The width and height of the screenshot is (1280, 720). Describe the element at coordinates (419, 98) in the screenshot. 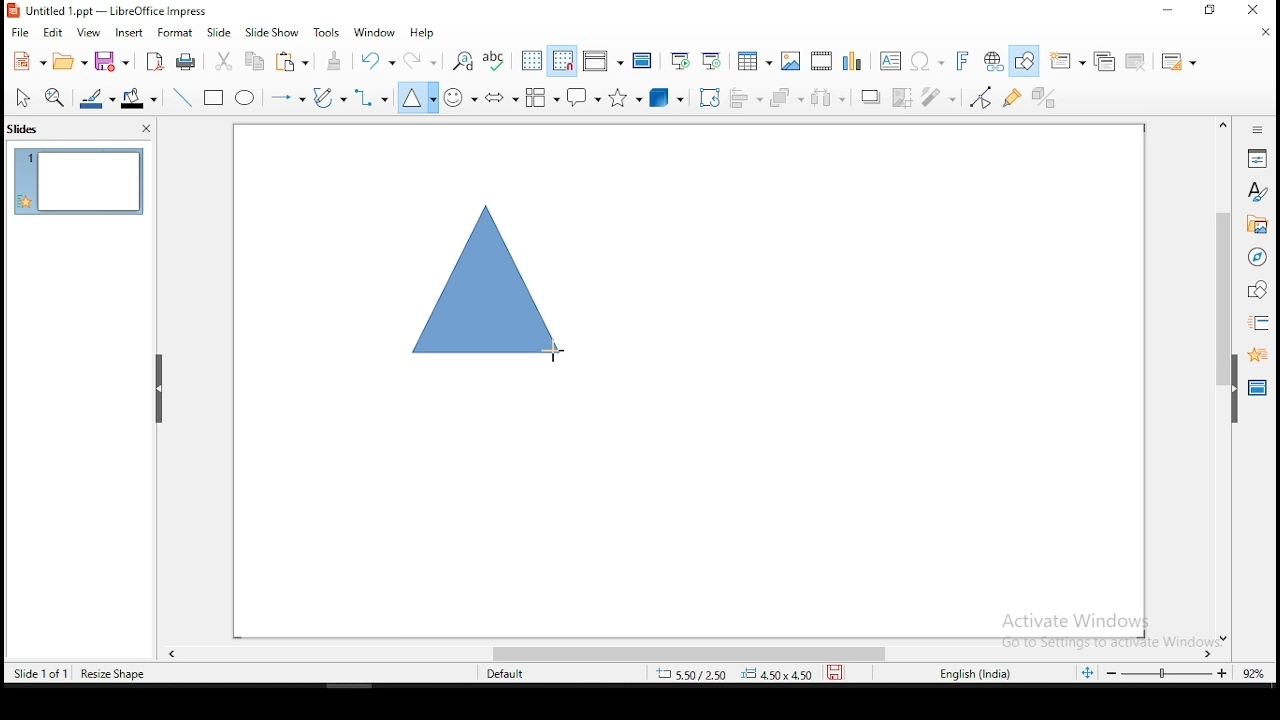

I see `basic shapes` at that location.